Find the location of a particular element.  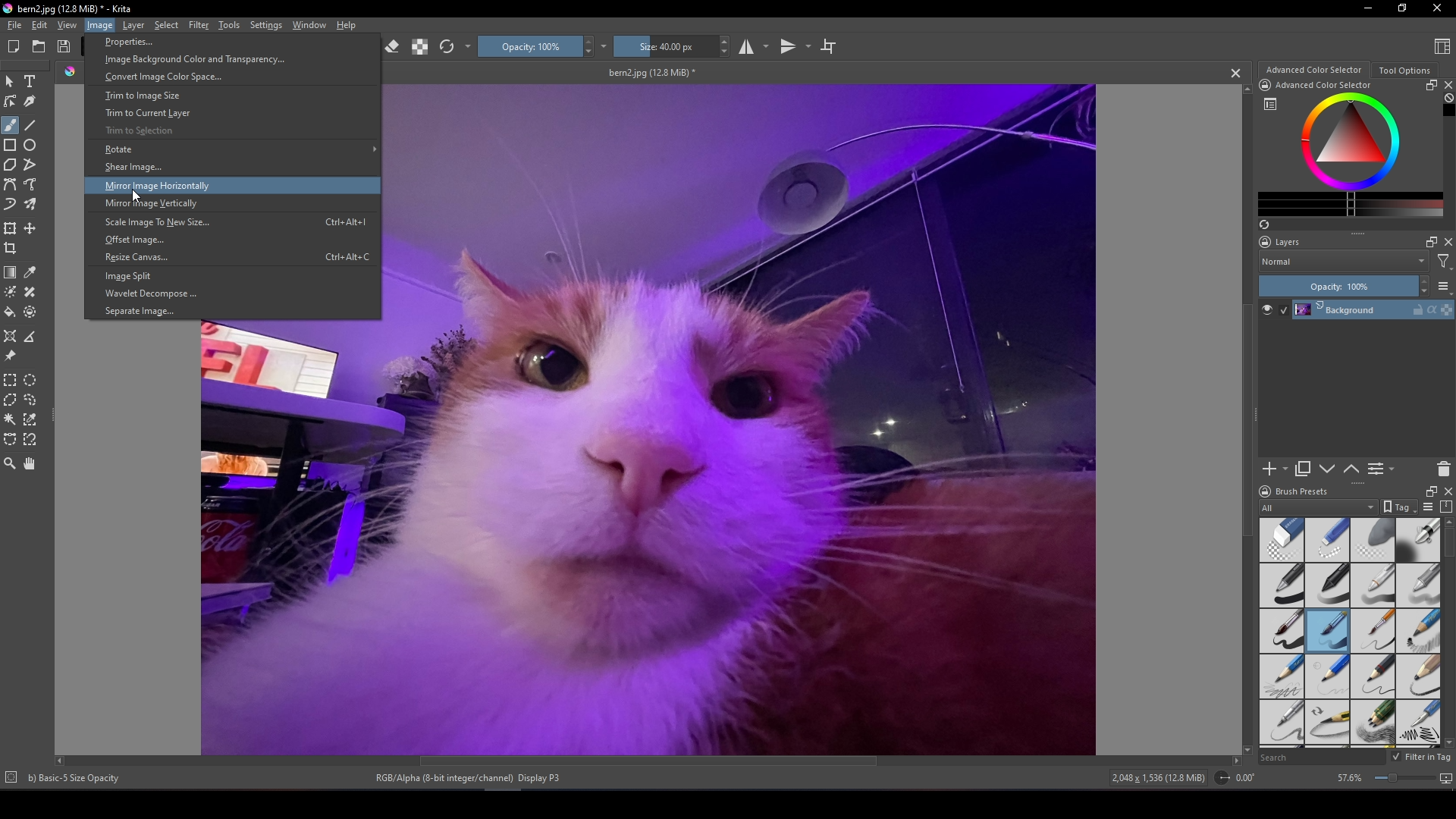

Float docker is located at coordinates (1433, 86).